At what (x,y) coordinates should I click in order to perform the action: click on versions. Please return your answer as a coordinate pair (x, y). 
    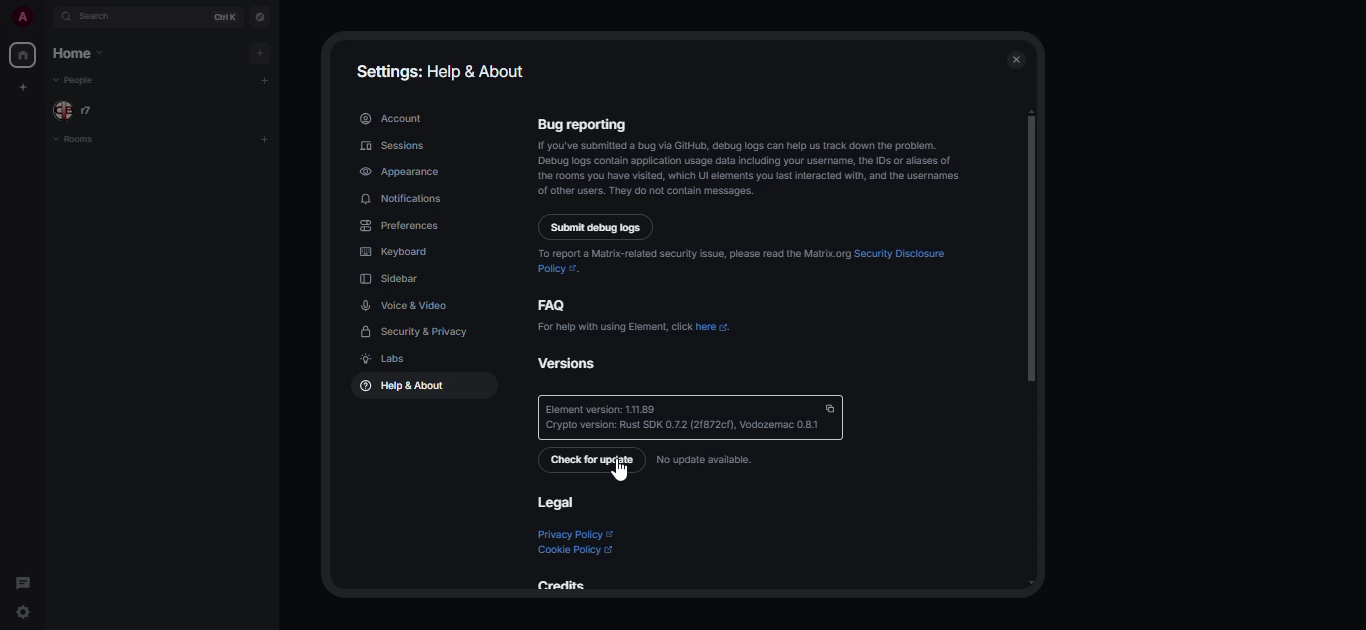
    Looking at the image, I should click on (576, 365).